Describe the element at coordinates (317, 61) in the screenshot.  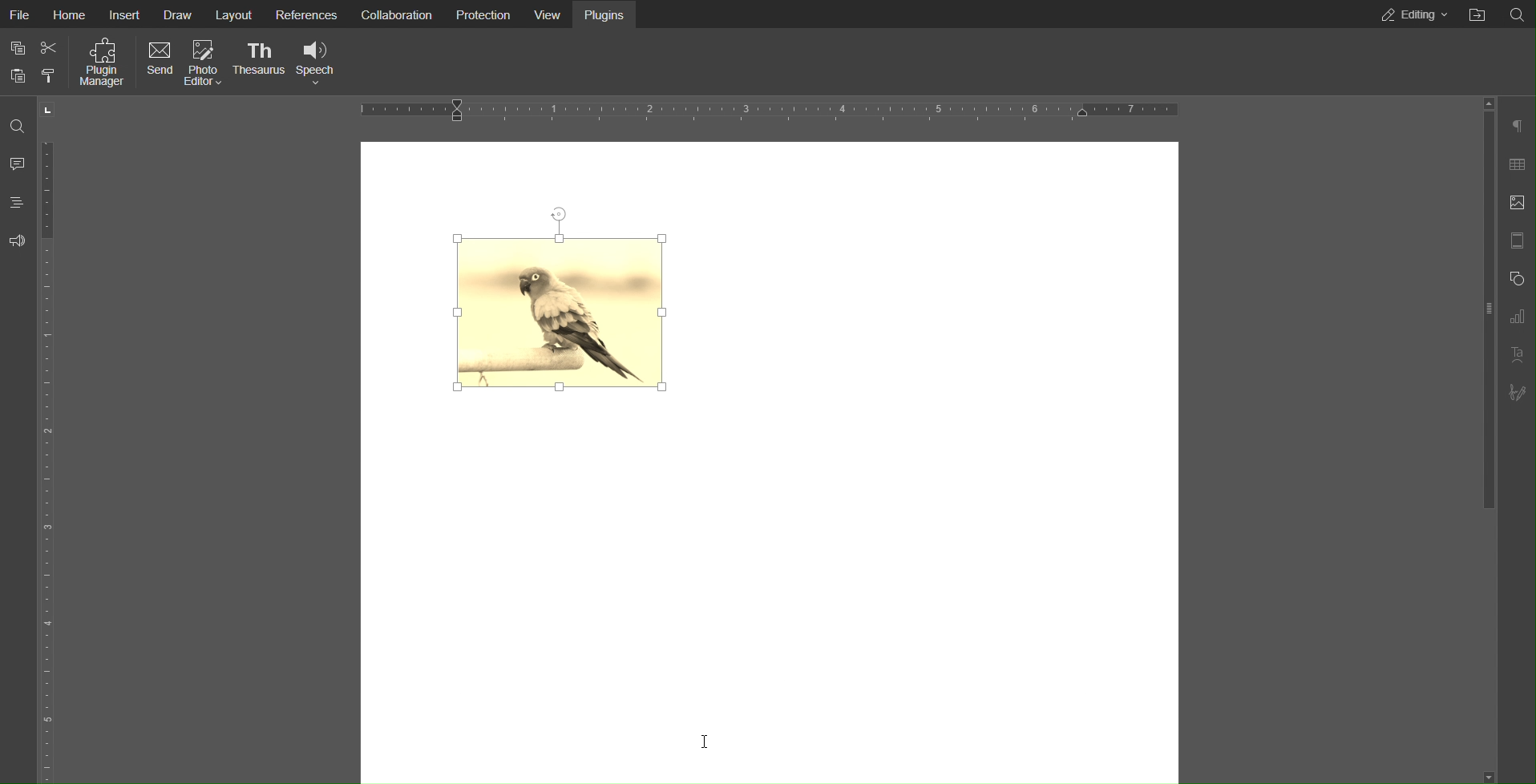
I see `Speech` at that location.